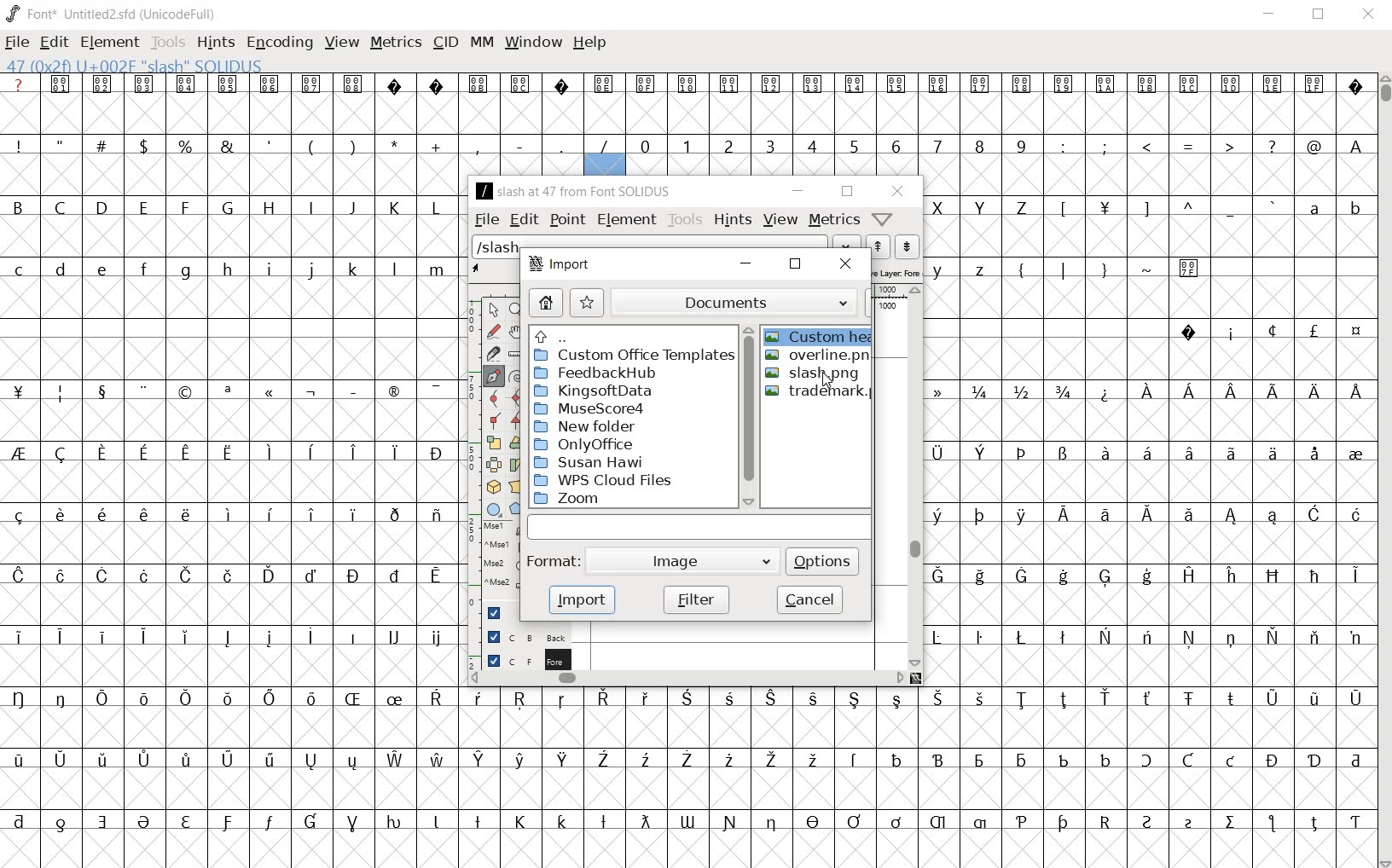 The height and width of the screenshot is (868, 1392). I want to click on special letters, so click(235, 638).